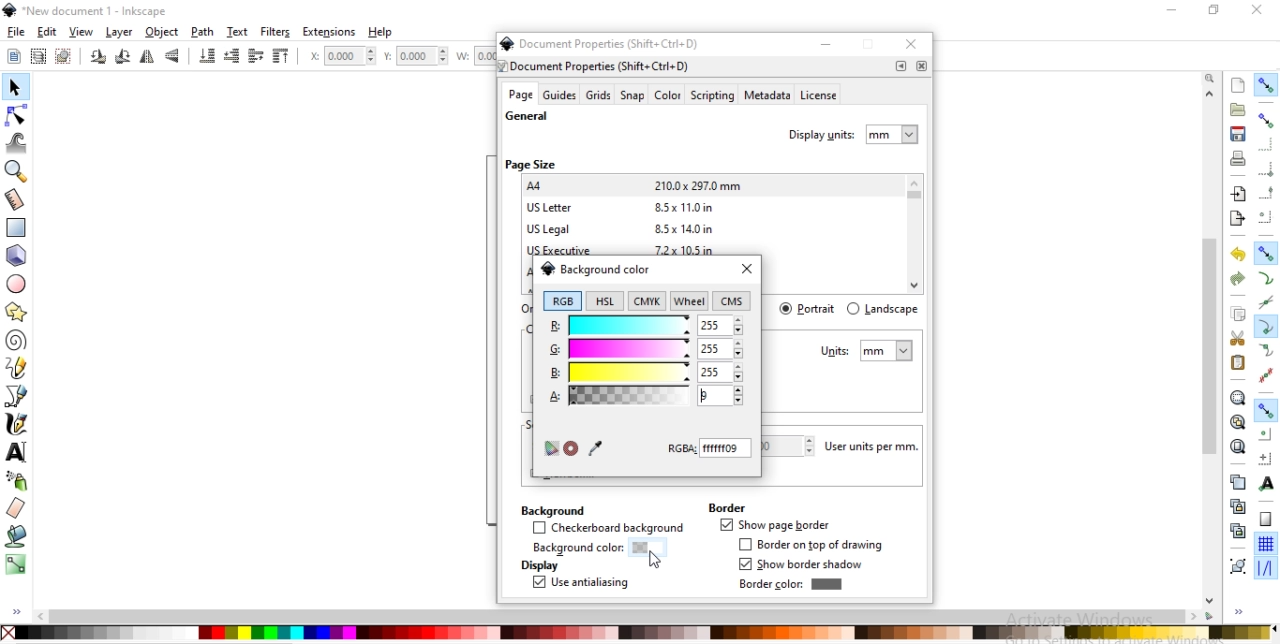  Describe the element at coordinates (1238, 483) in the screenshot. I see `create a duplicate` at that location.